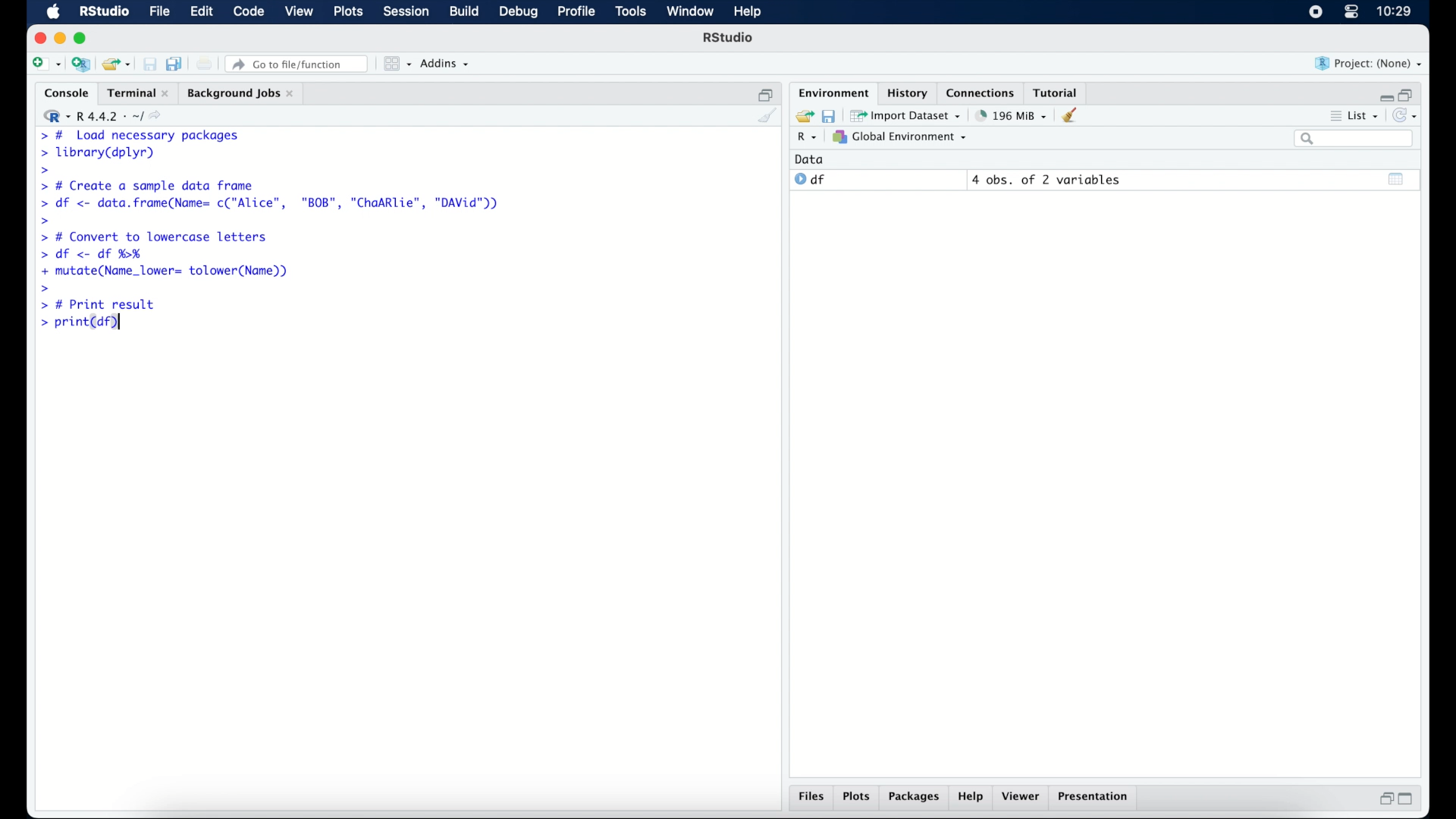 The height and width of the screenshot is (819, 1456). Describe the element at coordinates (519, 13) in the screenshot. I see `debug` at that location.